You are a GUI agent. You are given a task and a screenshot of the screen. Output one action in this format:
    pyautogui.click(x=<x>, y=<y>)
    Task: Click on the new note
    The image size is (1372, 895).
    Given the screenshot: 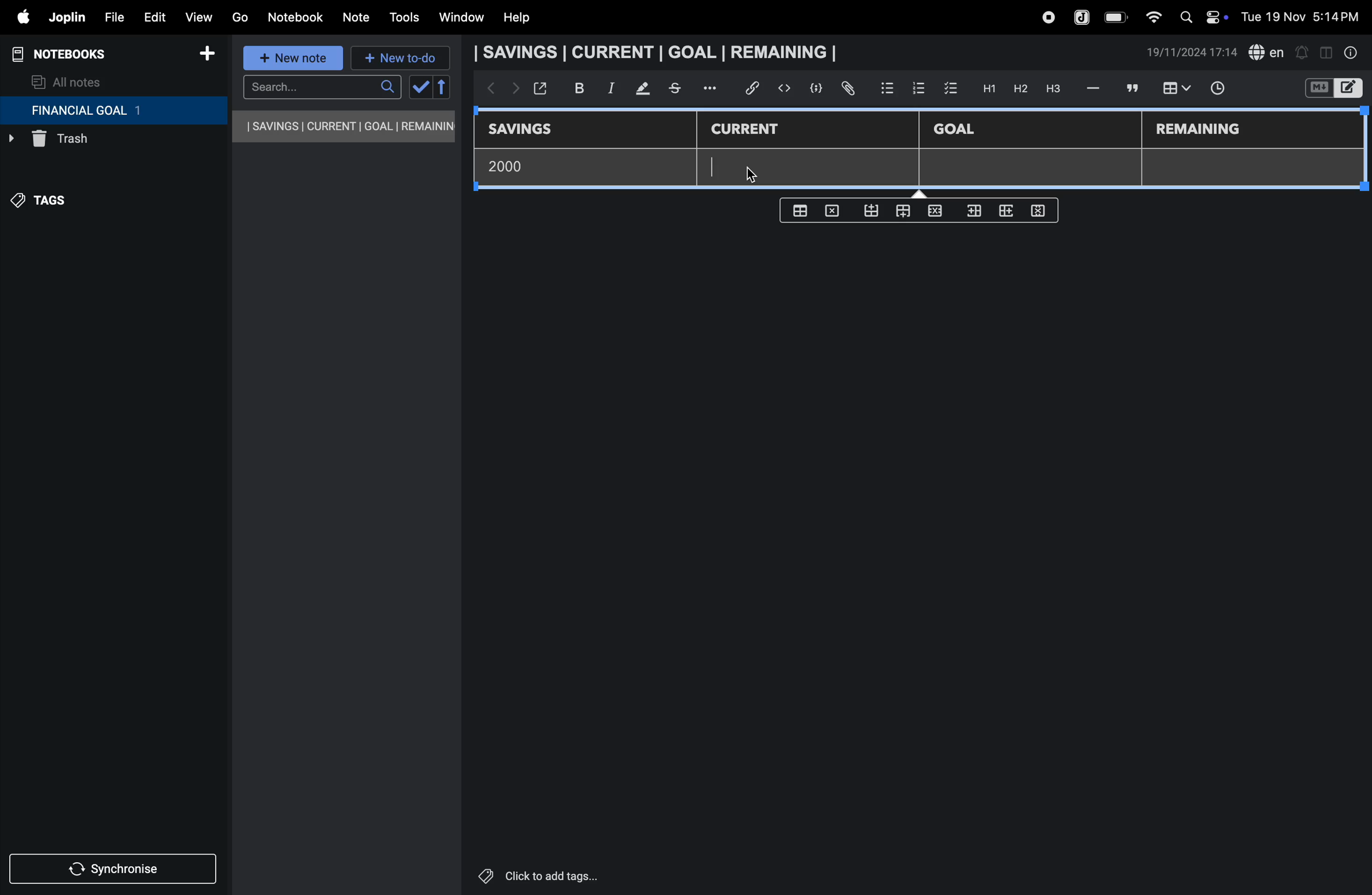 What is the action you would take?
    pyautogui.click(x=295, y=59)
    